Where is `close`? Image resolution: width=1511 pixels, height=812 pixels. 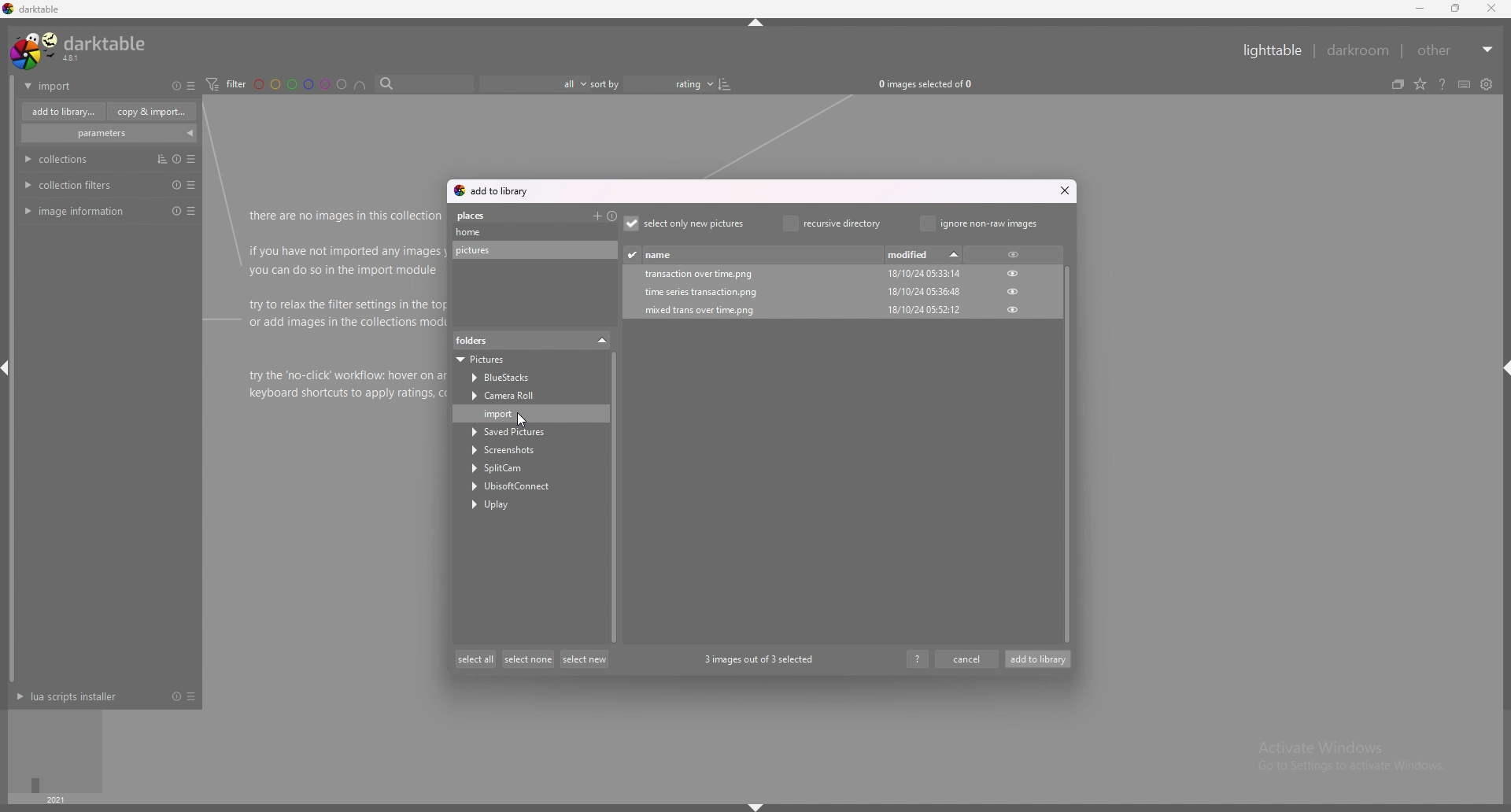 close is located at coordinates (1059, 191).